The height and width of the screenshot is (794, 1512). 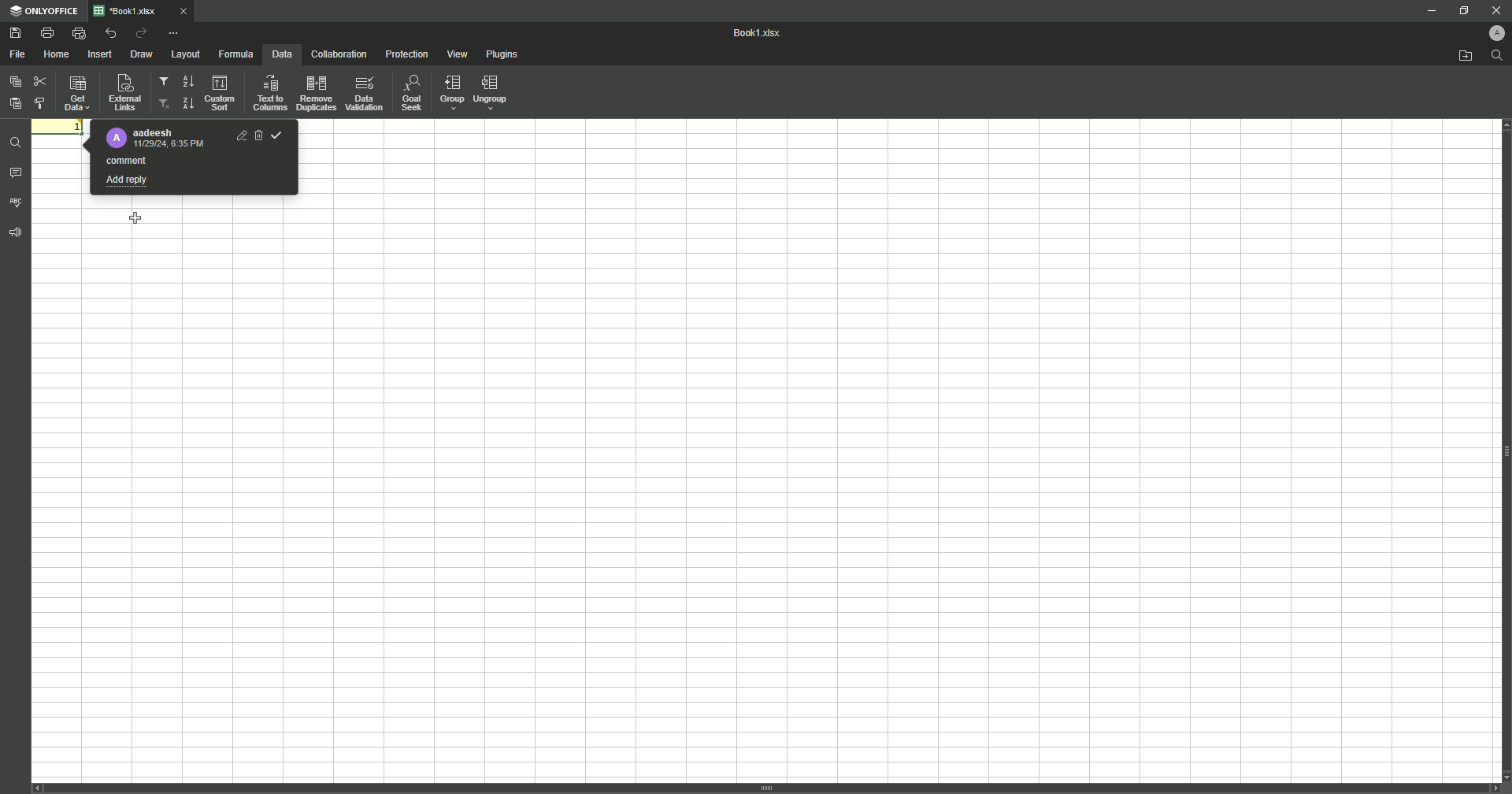 What do you see at coordinates (187, 103) in the screenshot?
I see `Sort Up` at bounding box center [187, 103].